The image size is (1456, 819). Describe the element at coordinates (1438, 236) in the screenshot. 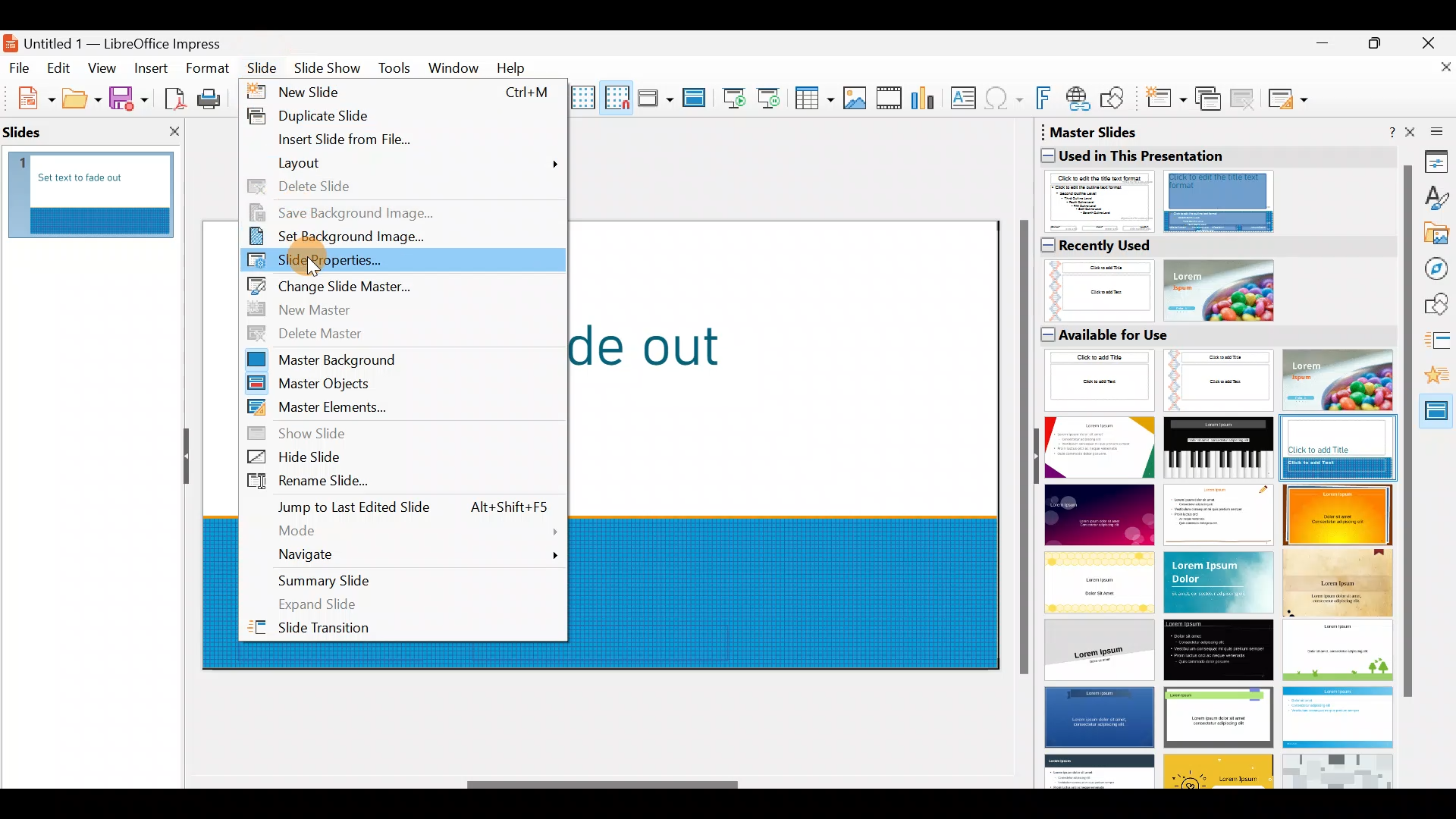

I see `Gallery` at that location.